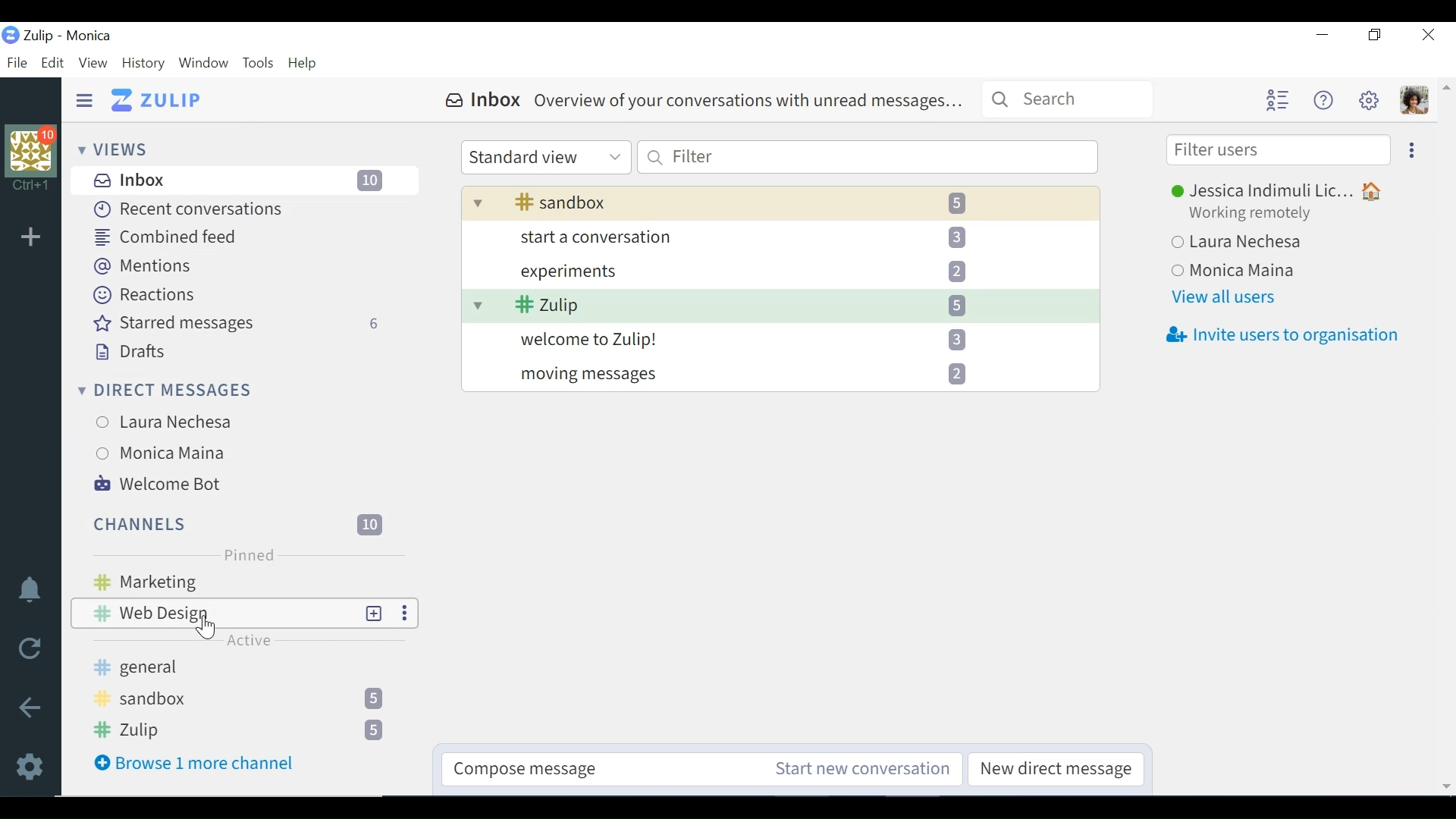 The image size is (1456, 819). I want to click on Compose message Start new conversation, so click(699, 768).